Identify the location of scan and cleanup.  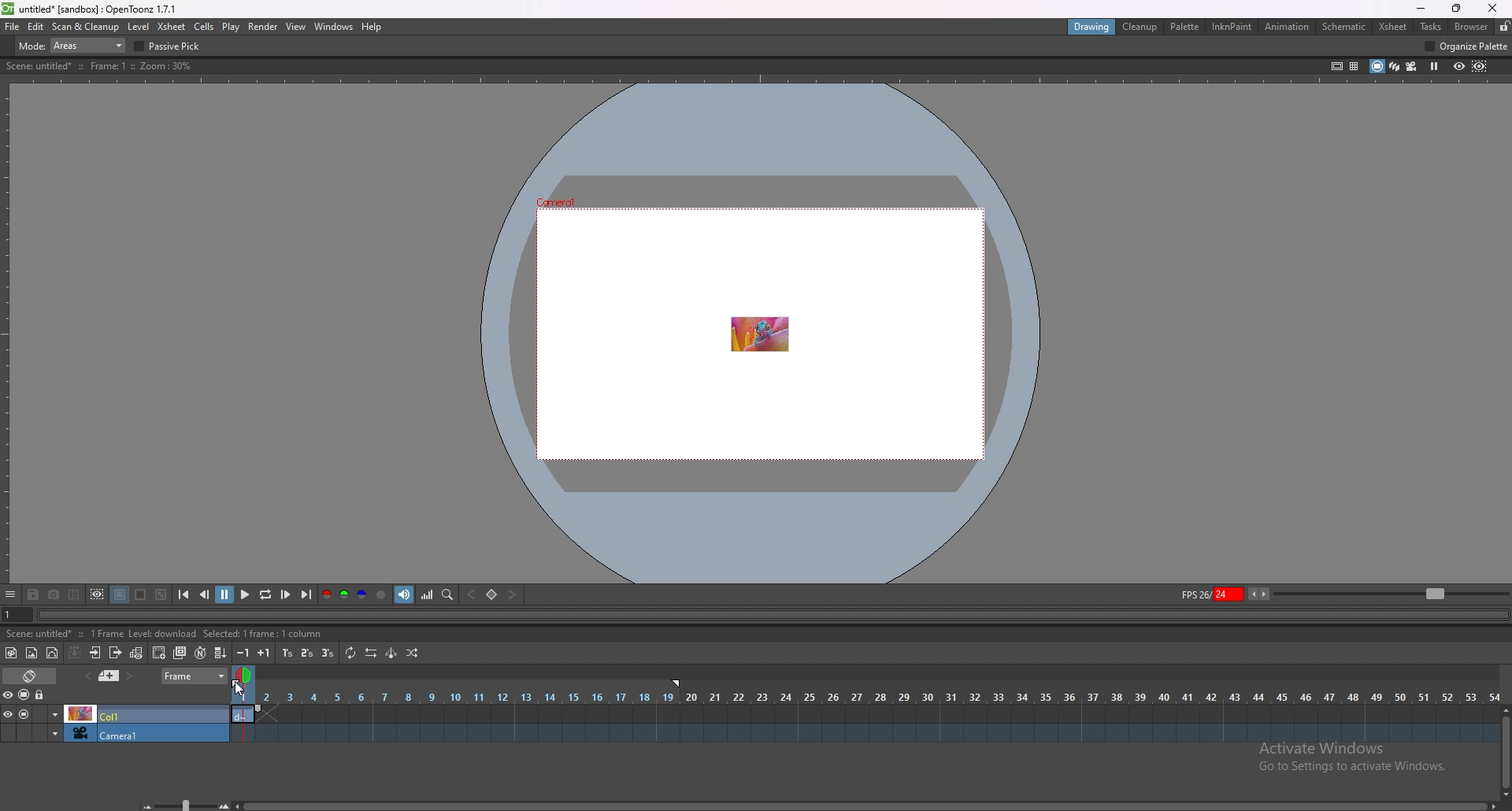
(87, 26).